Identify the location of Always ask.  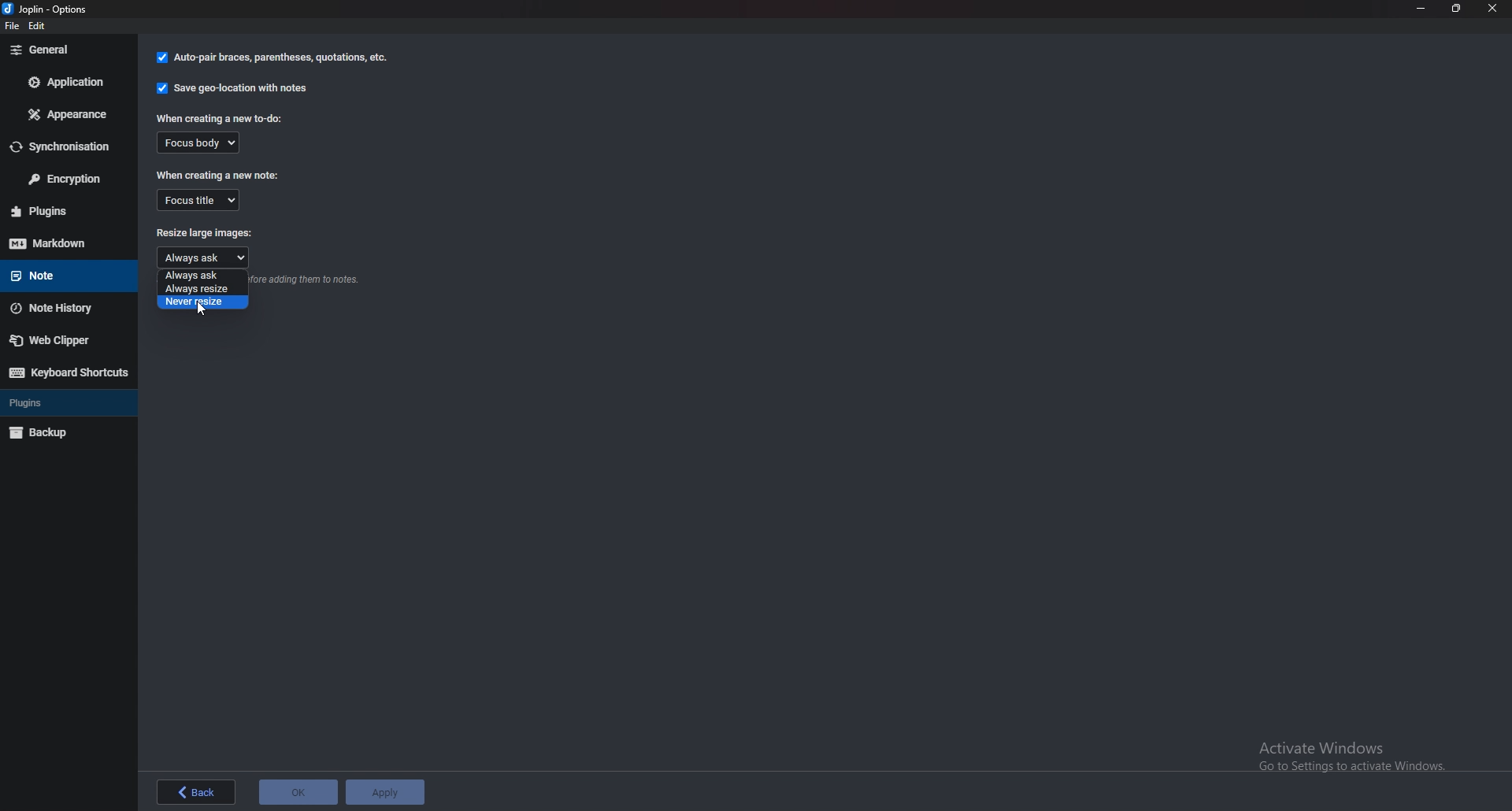
(204, 276).